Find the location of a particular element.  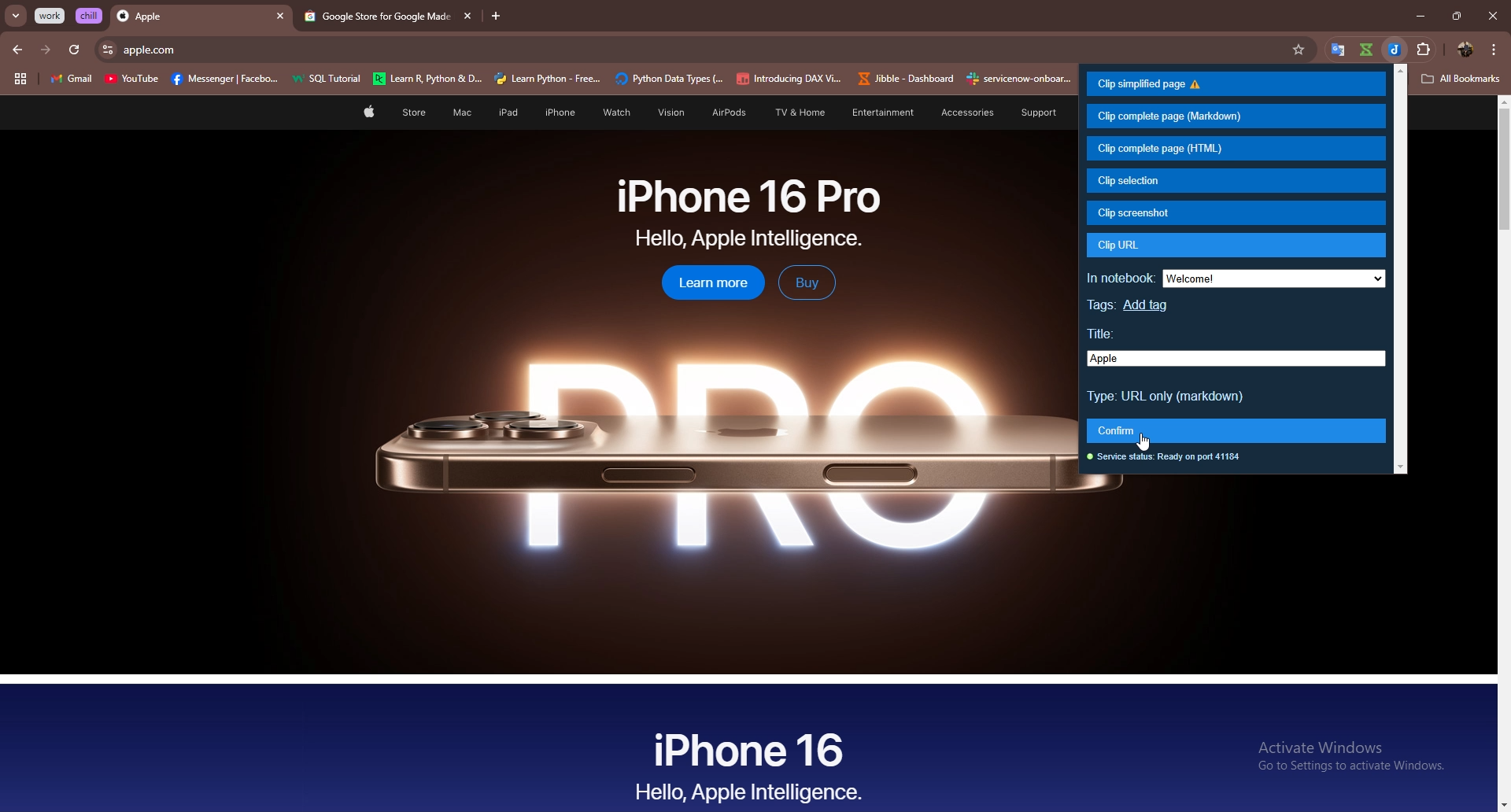

iPhone is located at coordinates (560, 113).